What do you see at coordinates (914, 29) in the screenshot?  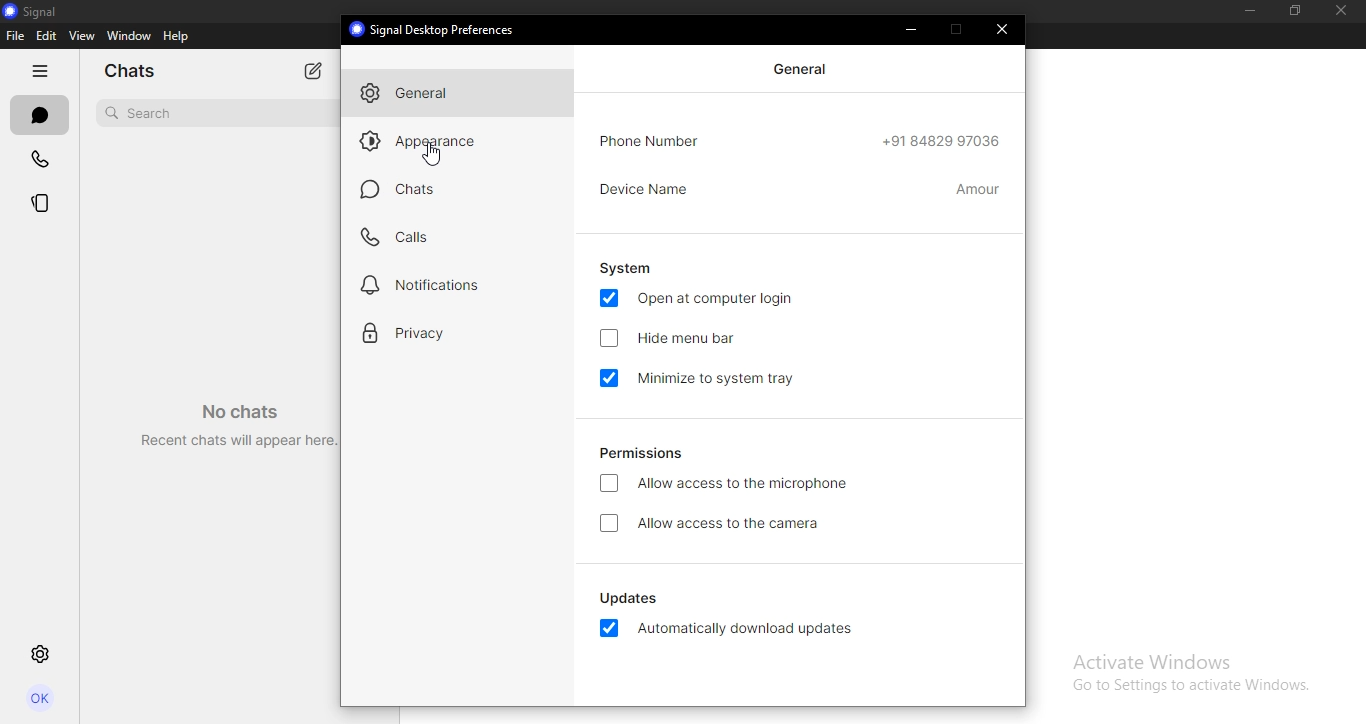 I see `minimize` at bounding box center [914, 29].